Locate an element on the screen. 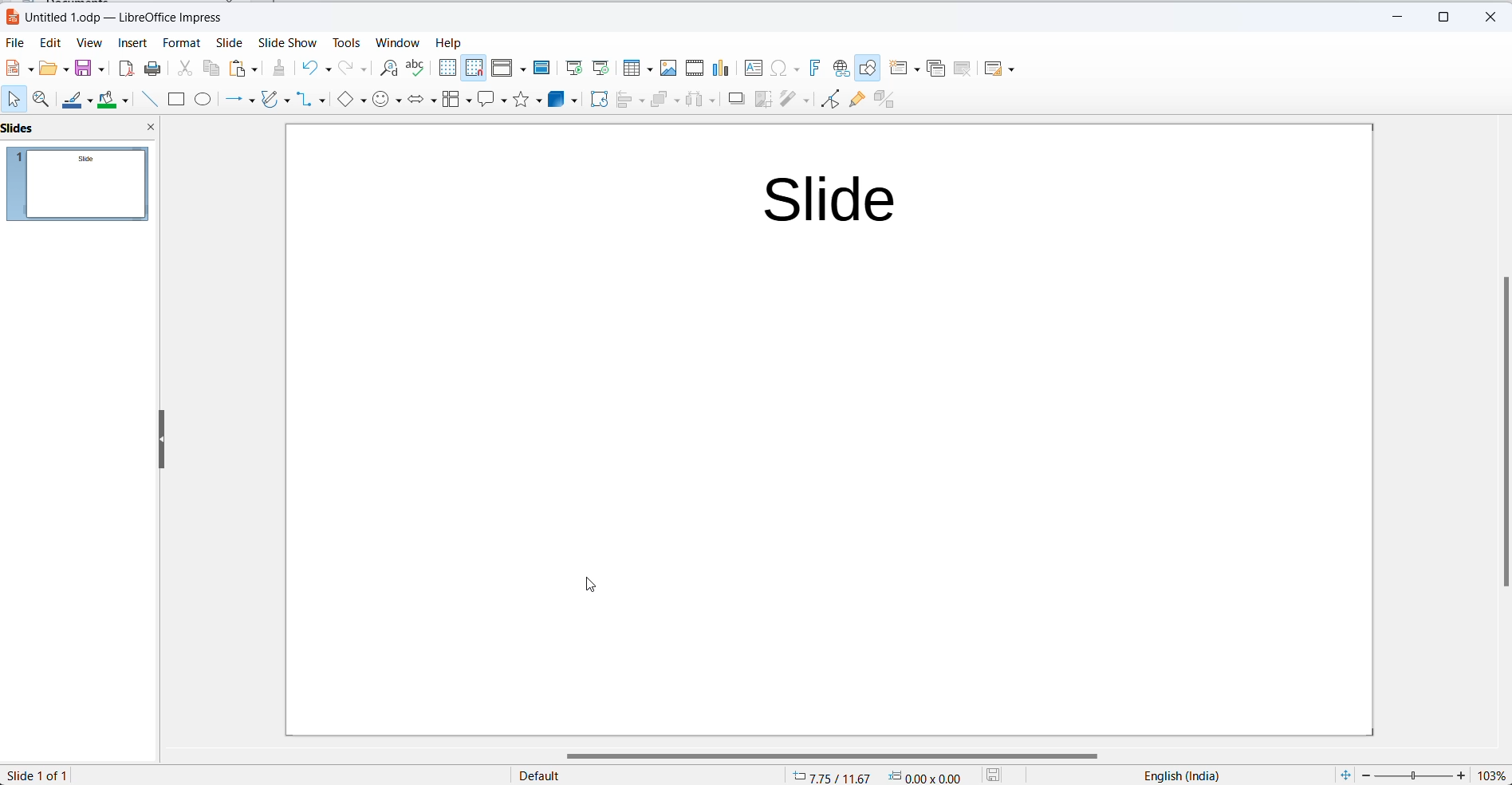  insert fontwork text is located at coordinates (813, 69).